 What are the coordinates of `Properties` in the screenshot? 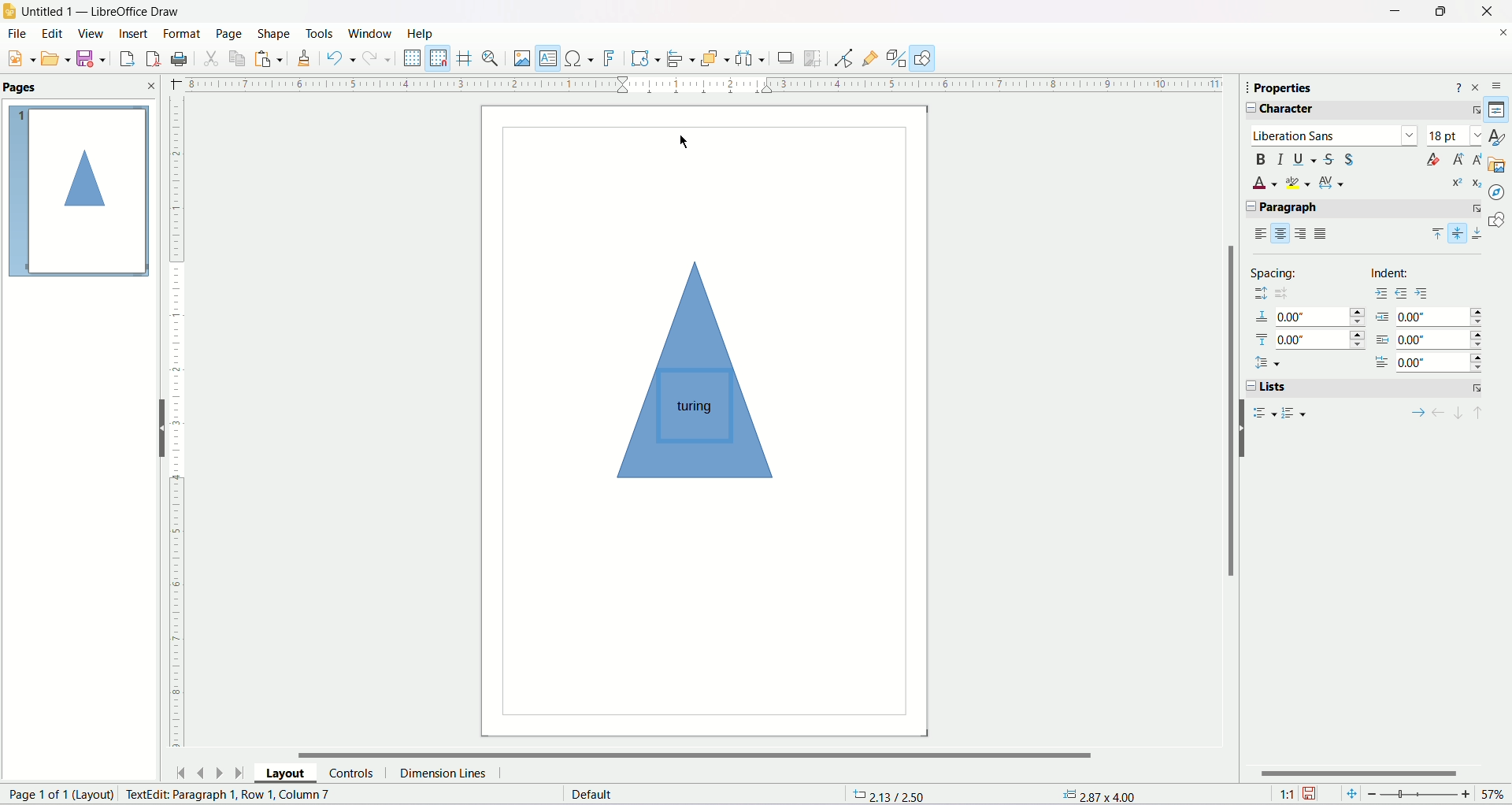 It's located at (1285, 87).